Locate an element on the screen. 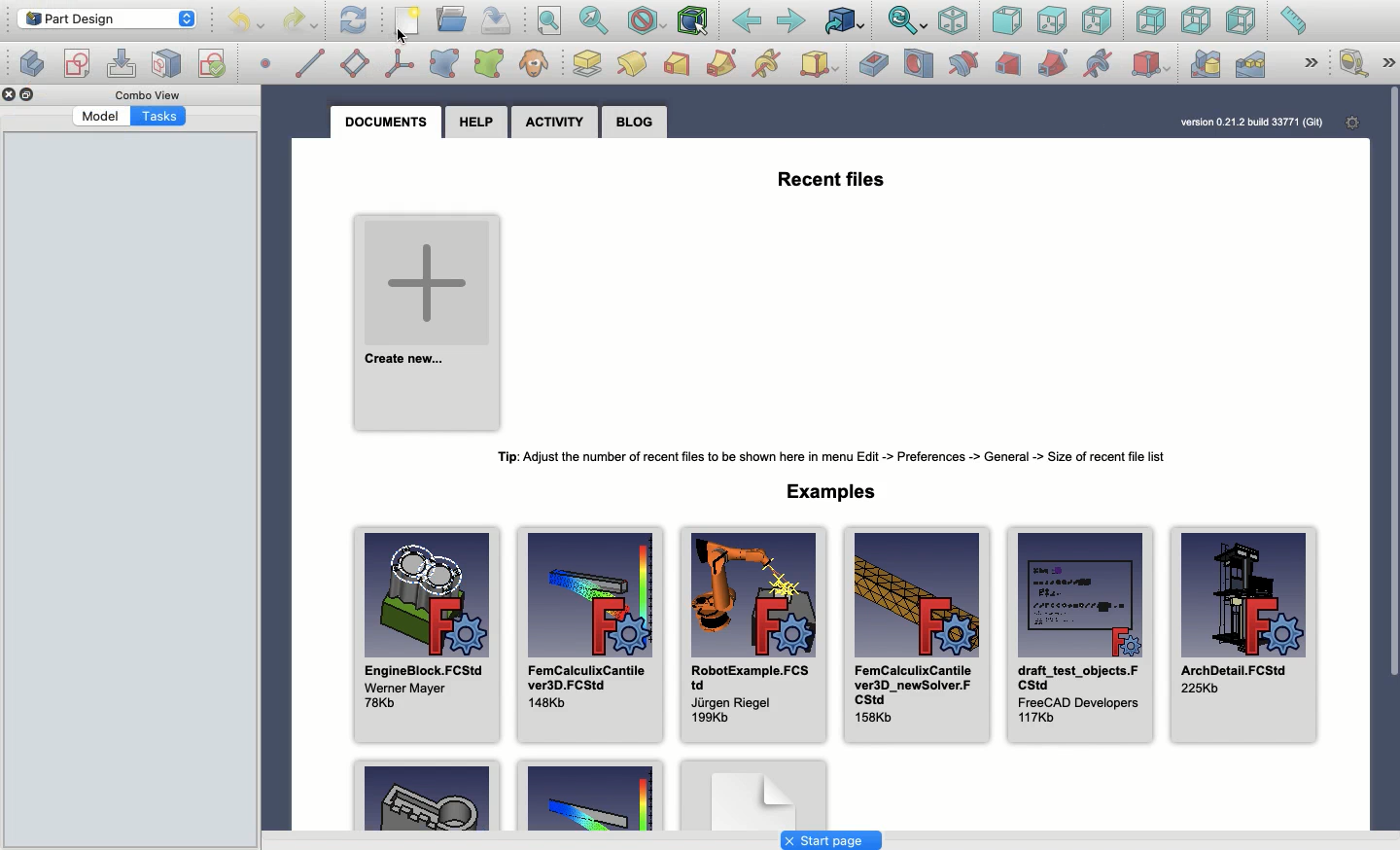 The image size is (1400, 850). Open is located at coordinates (454, 19).